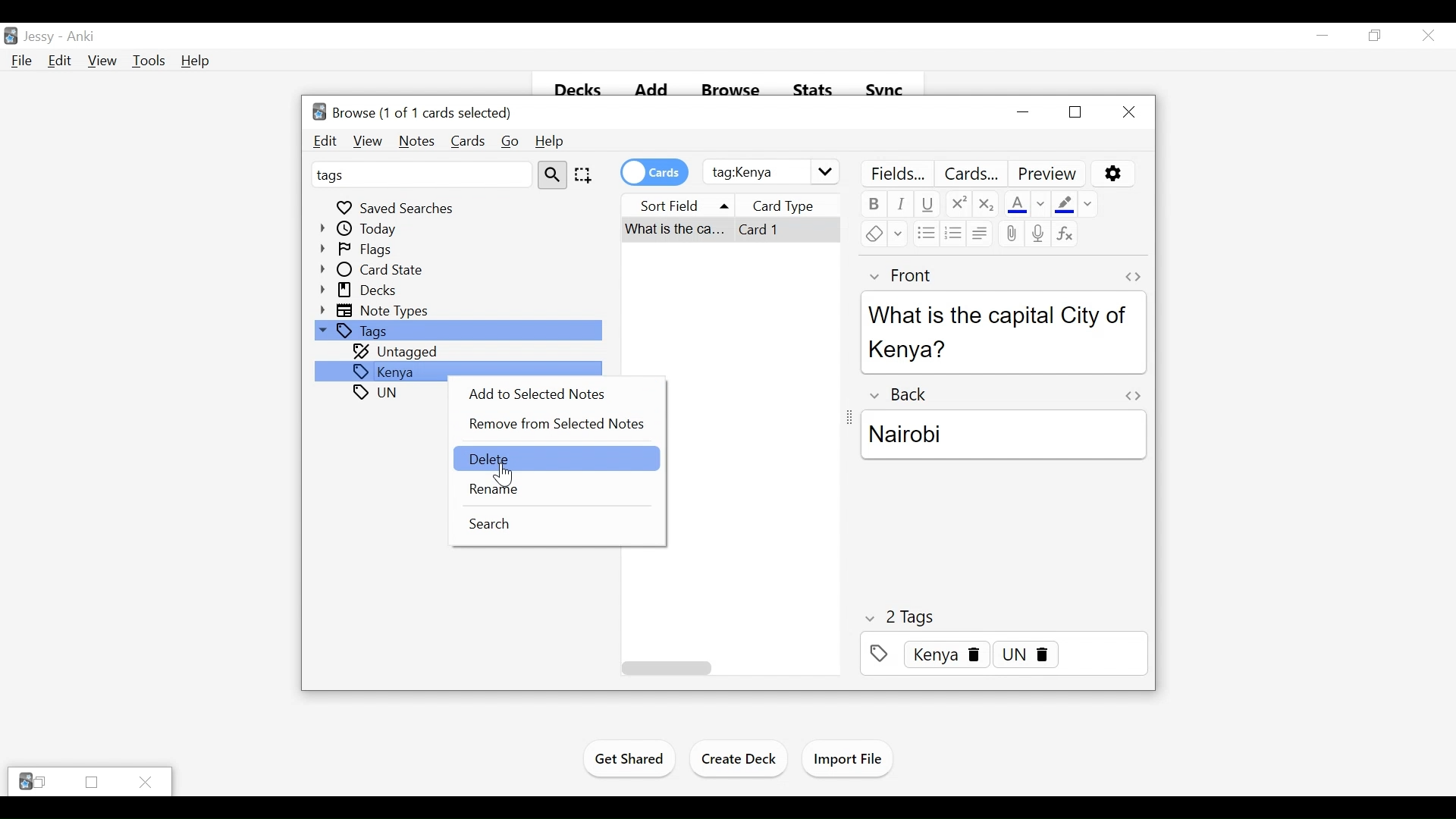 The width and height of the screenshot is (1456, 819). What do you see at coordinates (1128, 111) in the screenshot?
I see `Close` at bounding box center [1128, 111].